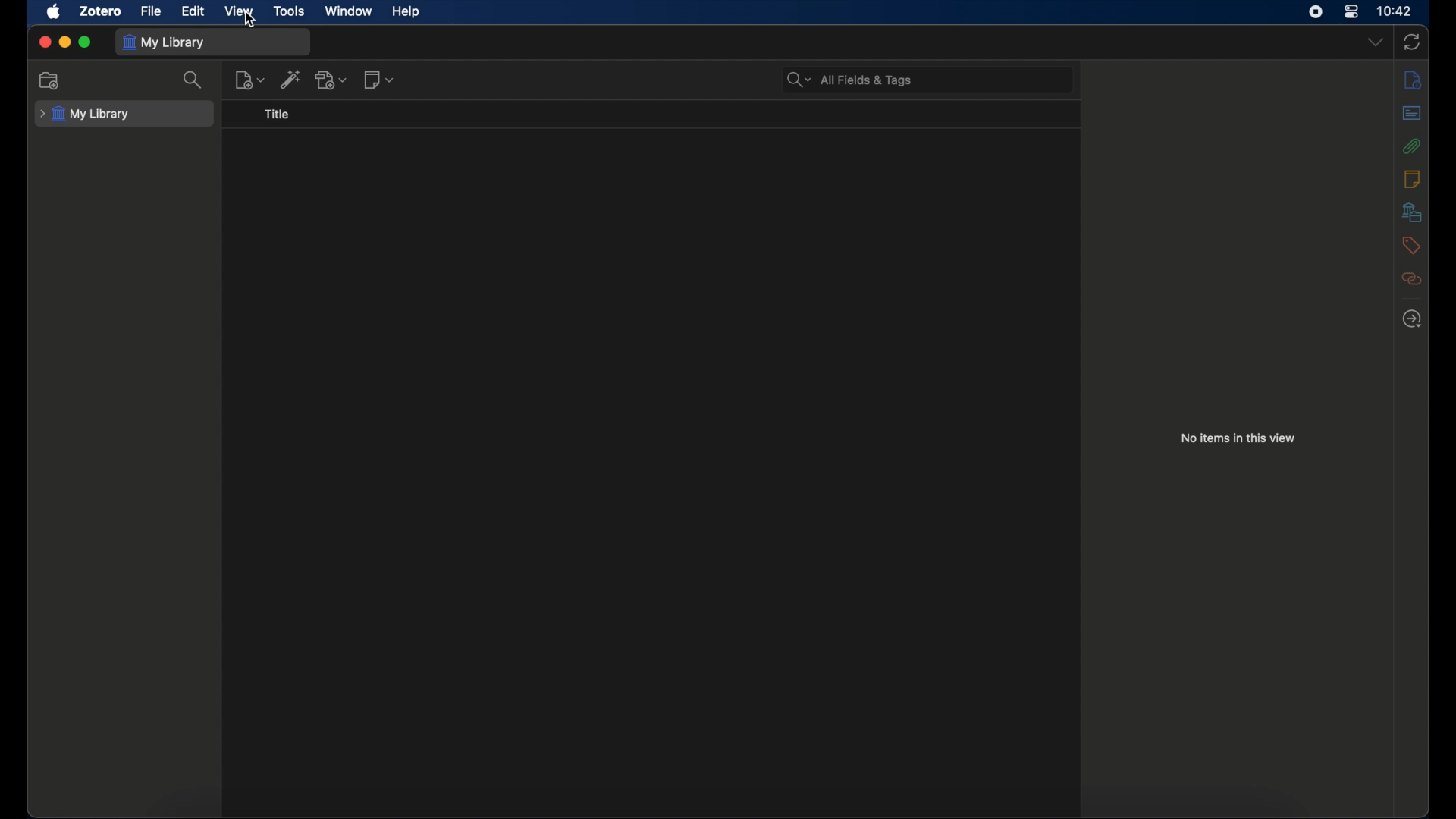 This screenshot has width=1456, height=819. Describe the element at coordinates (45, 42) in the screenshot. I see `close` at that location.